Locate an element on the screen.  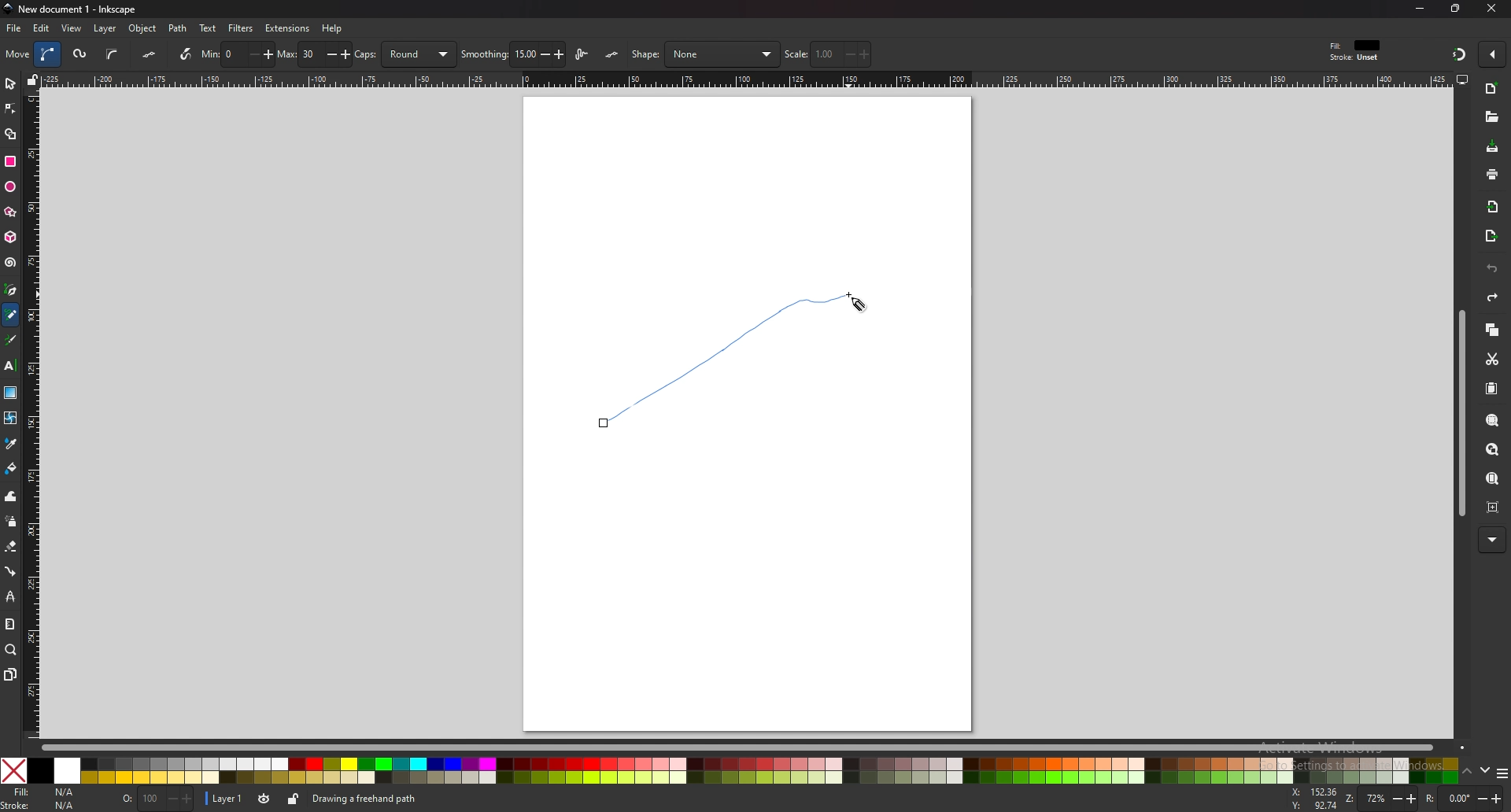
layer is located at coordinates (106, 29).